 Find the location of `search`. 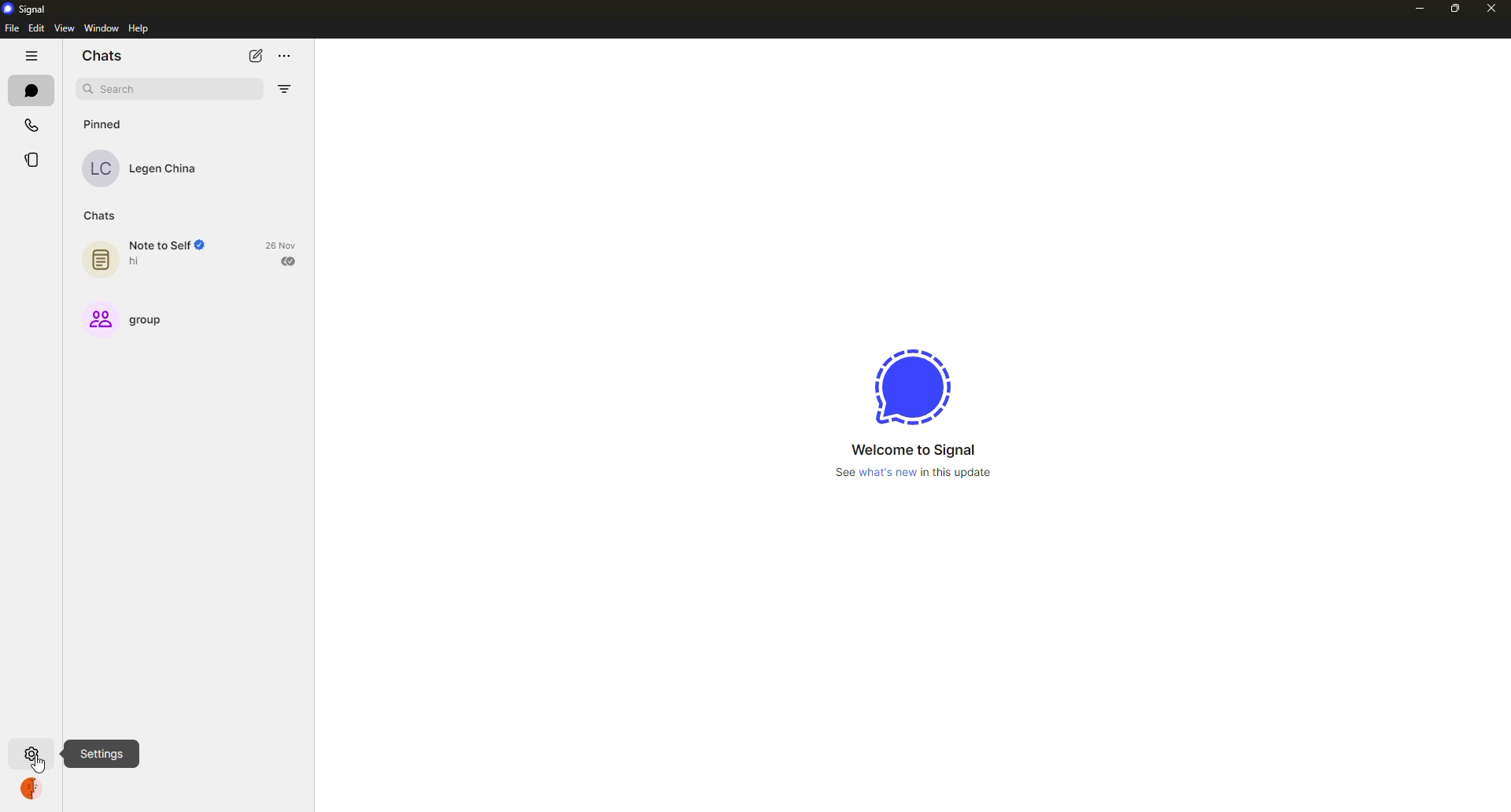

search is located at coordinates (118, 87).